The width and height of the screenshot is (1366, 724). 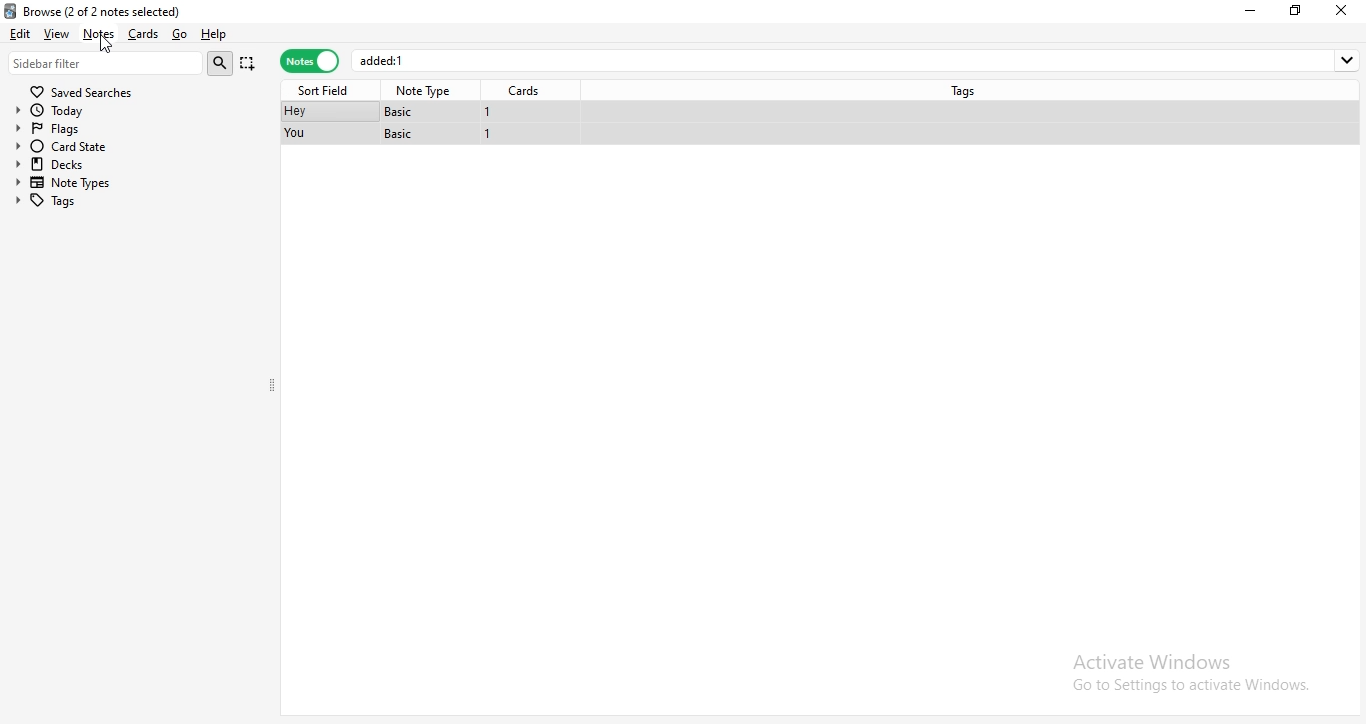 What do you see at coordinates (131, 9) in the screenshot?
I see `browse` at bounding box center [131, 9].